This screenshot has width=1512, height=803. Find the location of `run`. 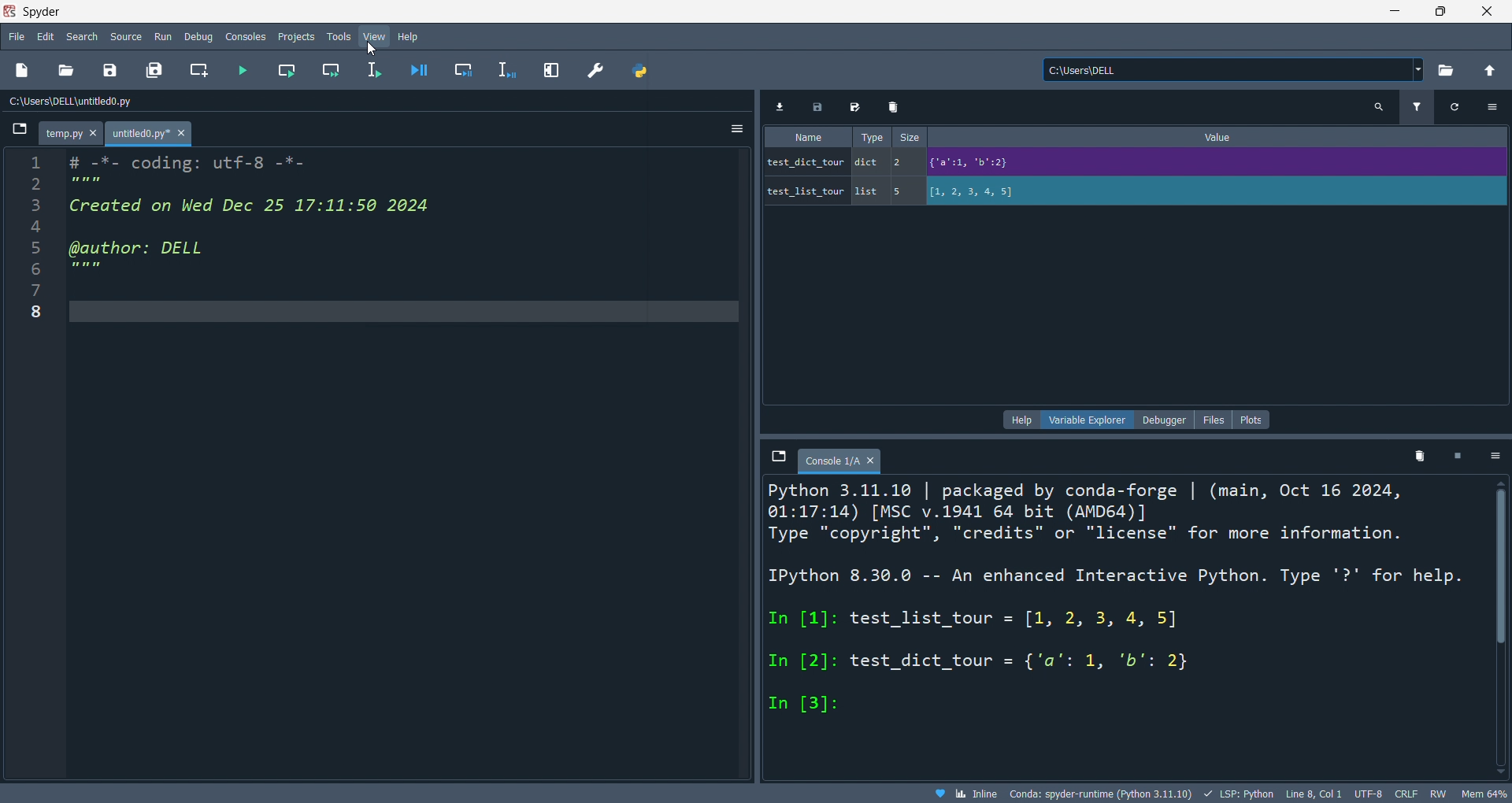

run is located at coordinates (165, 37).